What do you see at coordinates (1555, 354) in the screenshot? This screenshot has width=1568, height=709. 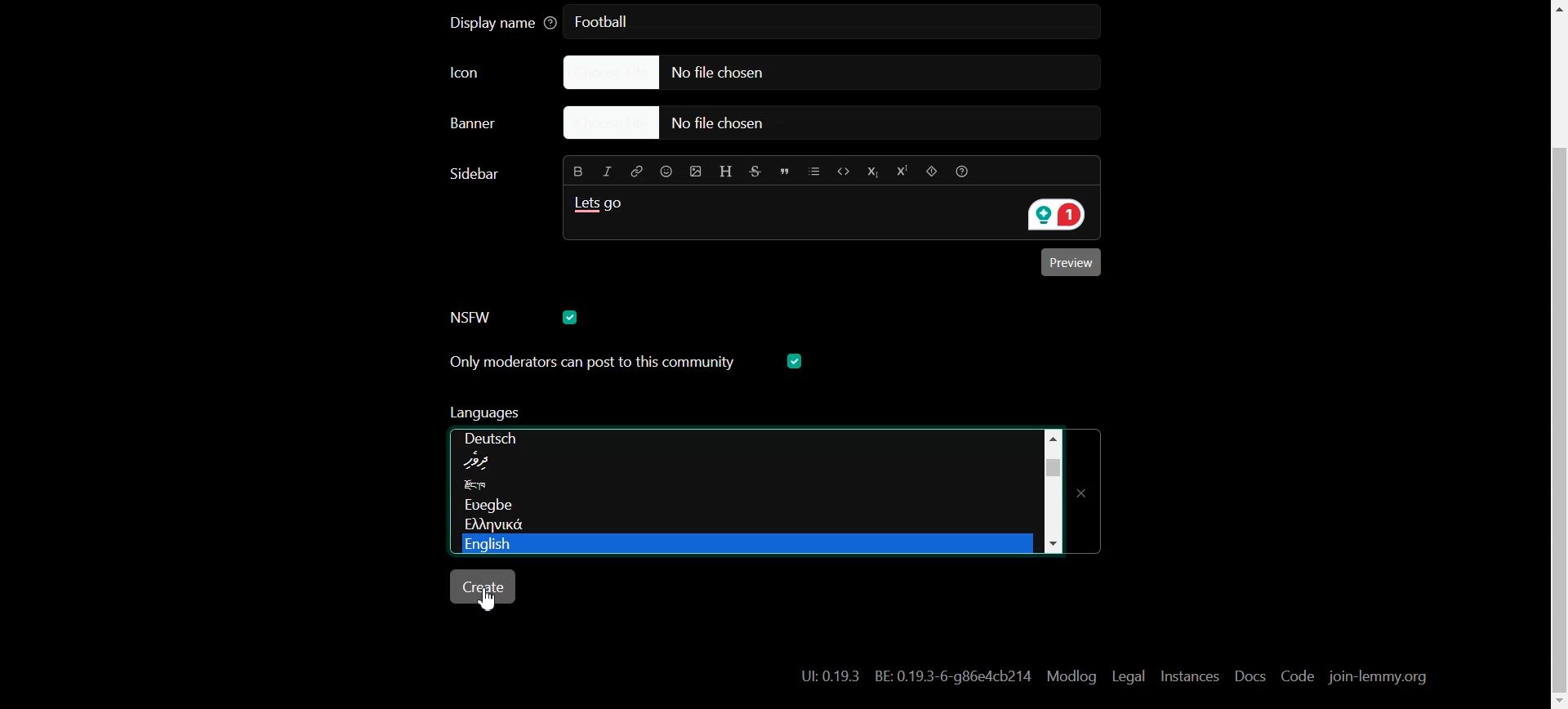 I see `Vertical Scroll bar` at bounding box center [1555, 354].